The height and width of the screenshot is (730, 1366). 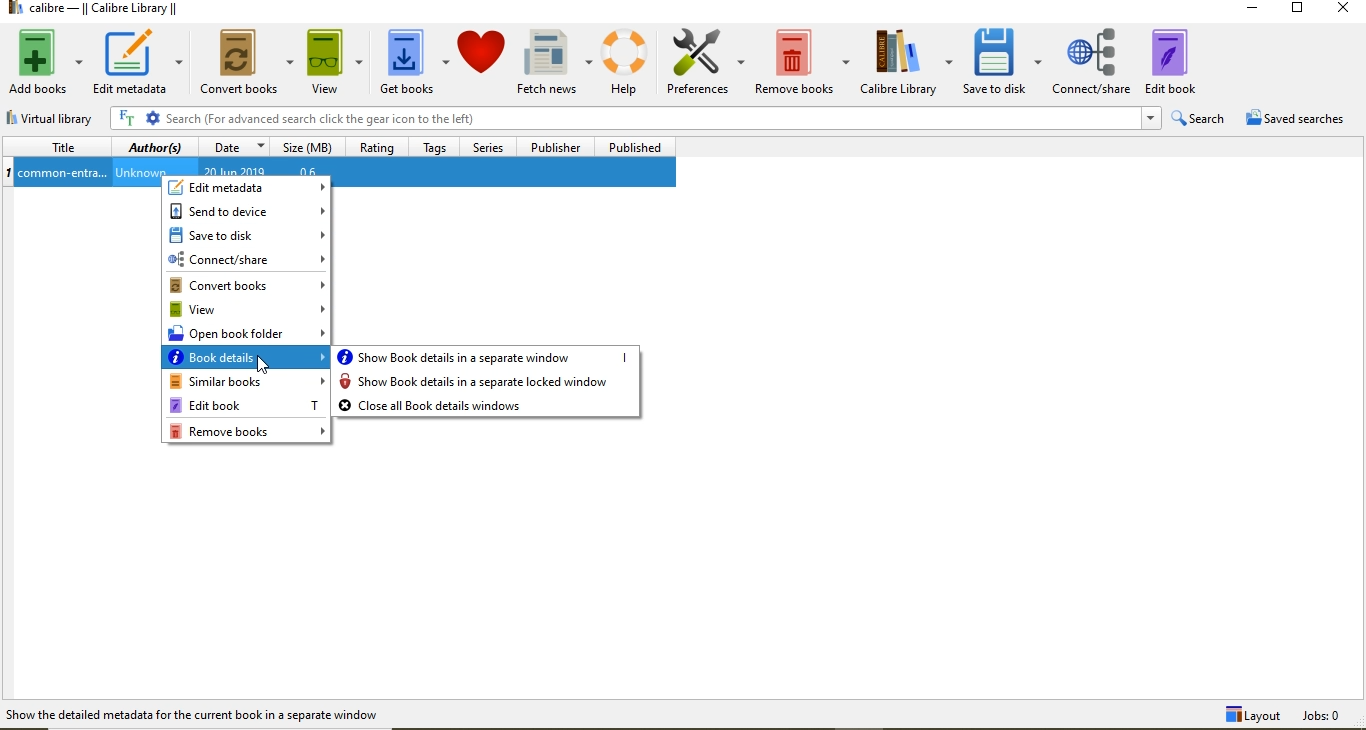 I want to click on remove books, so click(x=804, y=58).